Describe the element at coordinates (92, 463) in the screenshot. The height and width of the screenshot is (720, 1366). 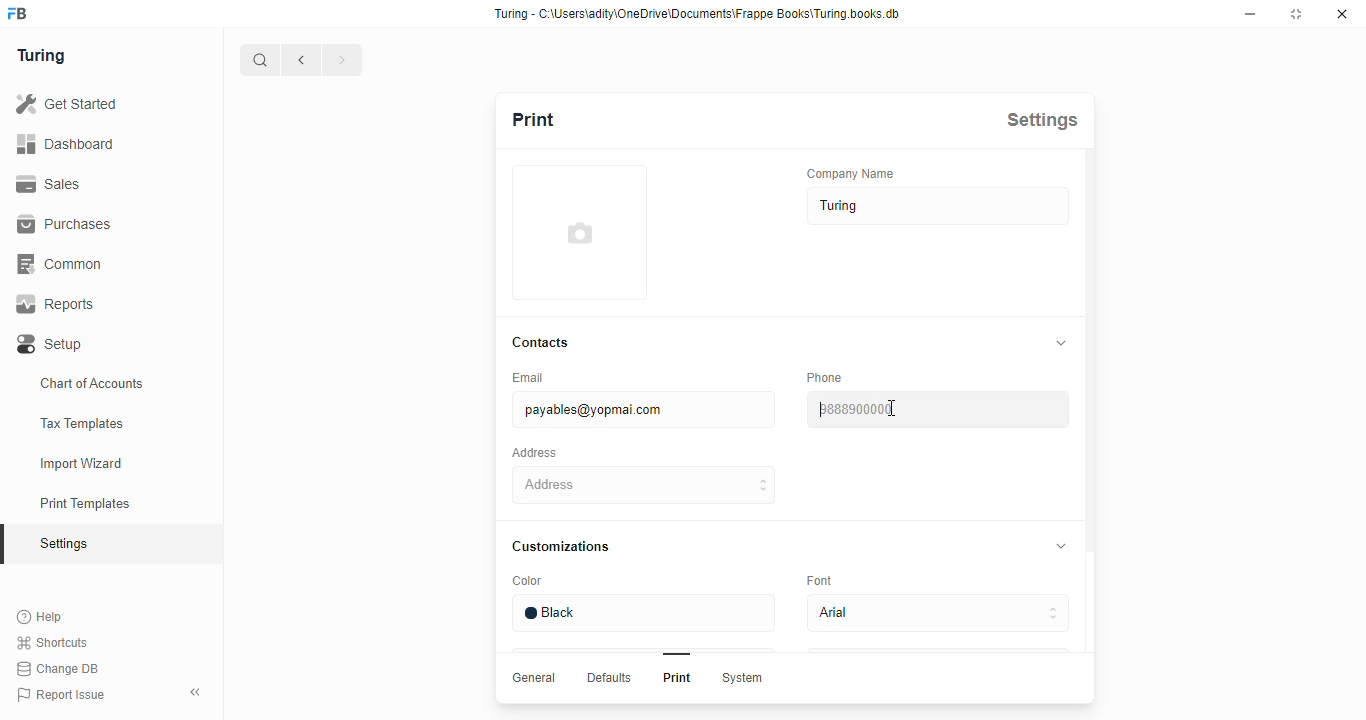
I see `Import Wizard` at that location.